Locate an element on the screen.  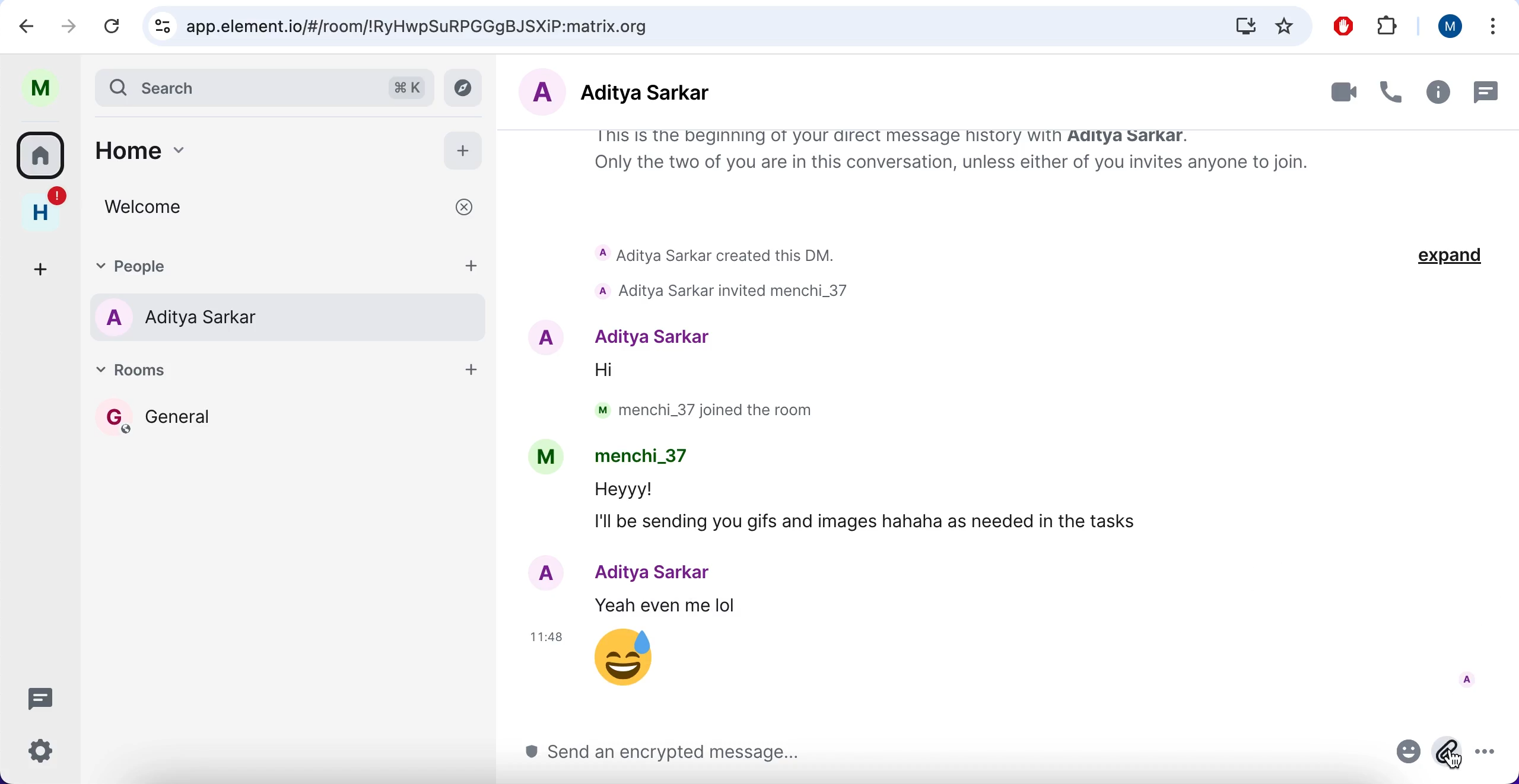
rooms is located at coordinates (42, 153).